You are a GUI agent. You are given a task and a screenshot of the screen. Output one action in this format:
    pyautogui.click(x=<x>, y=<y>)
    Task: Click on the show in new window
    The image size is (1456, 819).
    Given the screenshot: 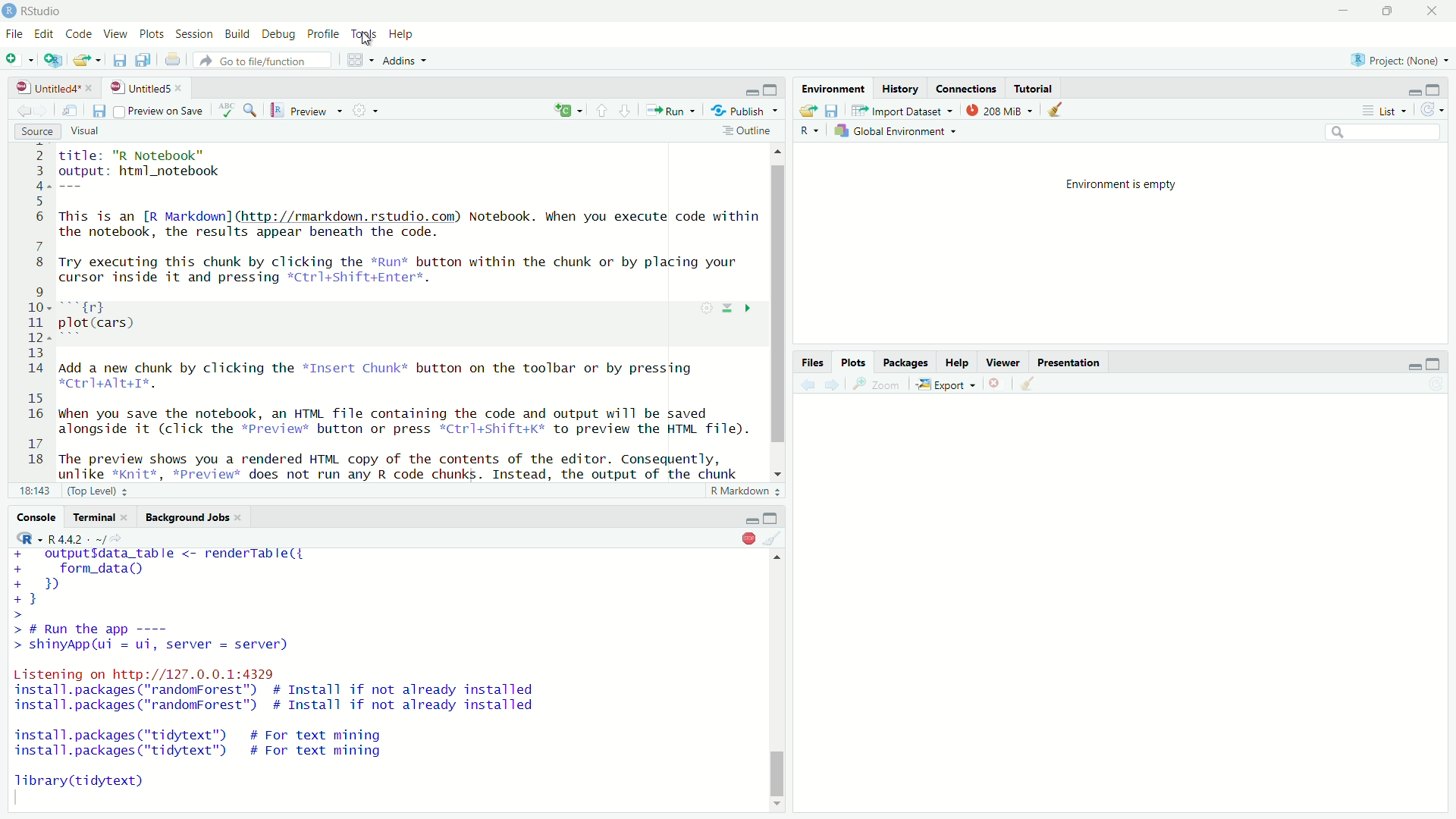 What is the action you would take?
    pyautogui.click(x=70, y=111)
    